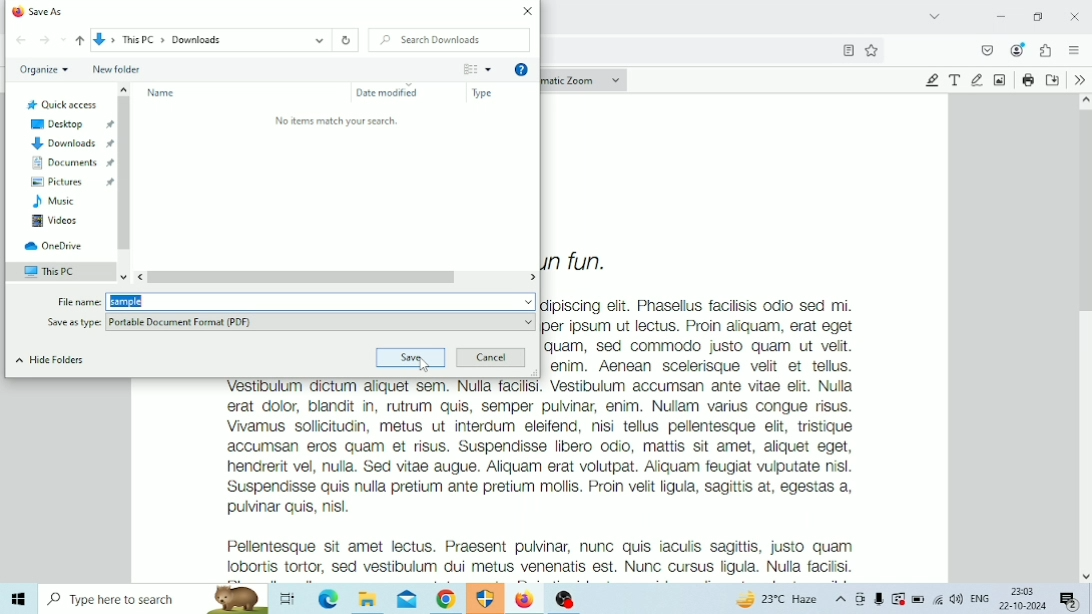 This screenshot has width=1092, height=614. What do you see at coordinates (531, 278) in the screenshot?
I see `scroll left` at bounding box center [531, 278].